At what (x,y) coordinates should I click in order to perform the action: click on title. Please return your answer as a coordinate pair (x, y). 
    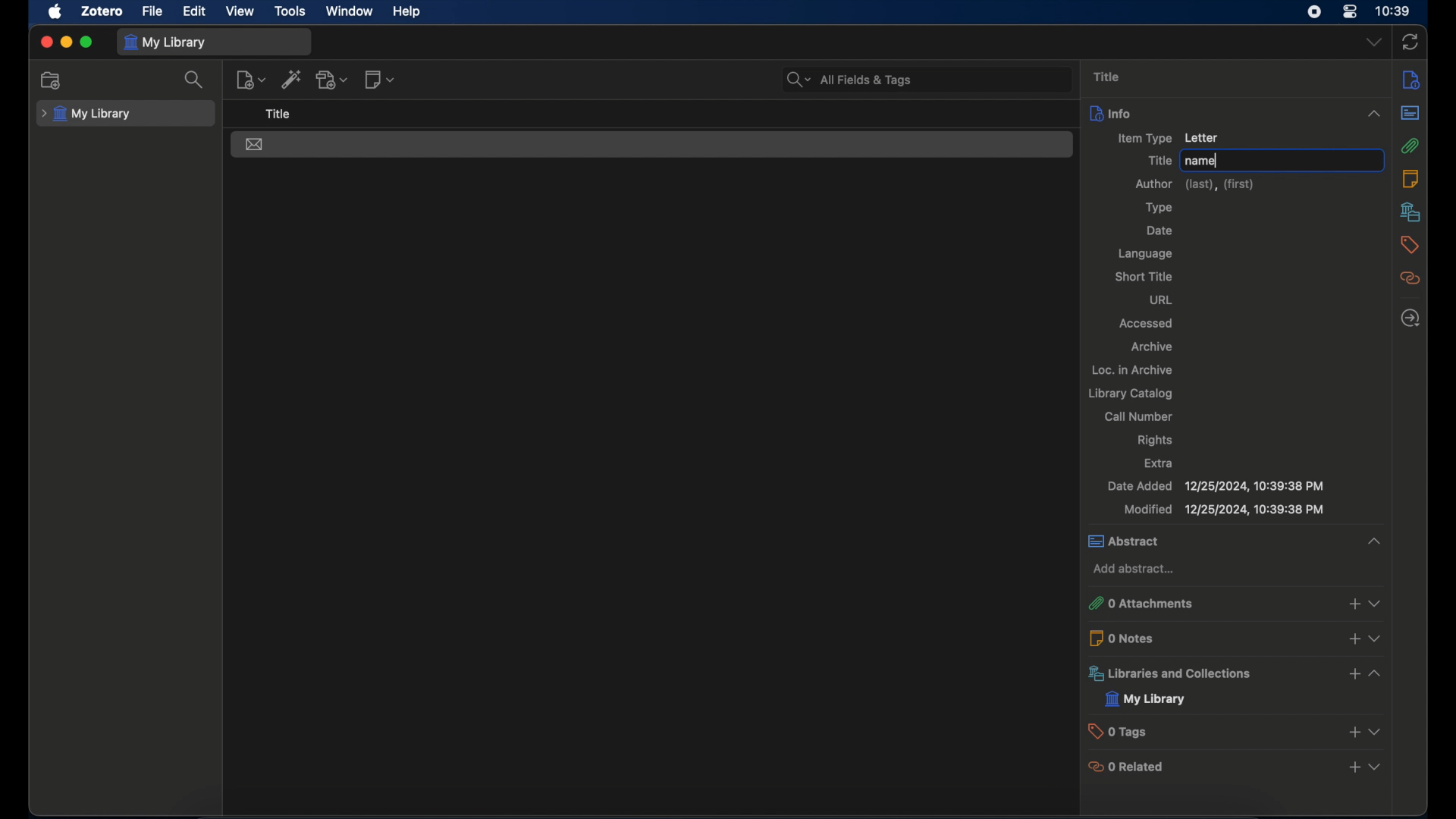
    Looking at the image, I should click on (278, 115).